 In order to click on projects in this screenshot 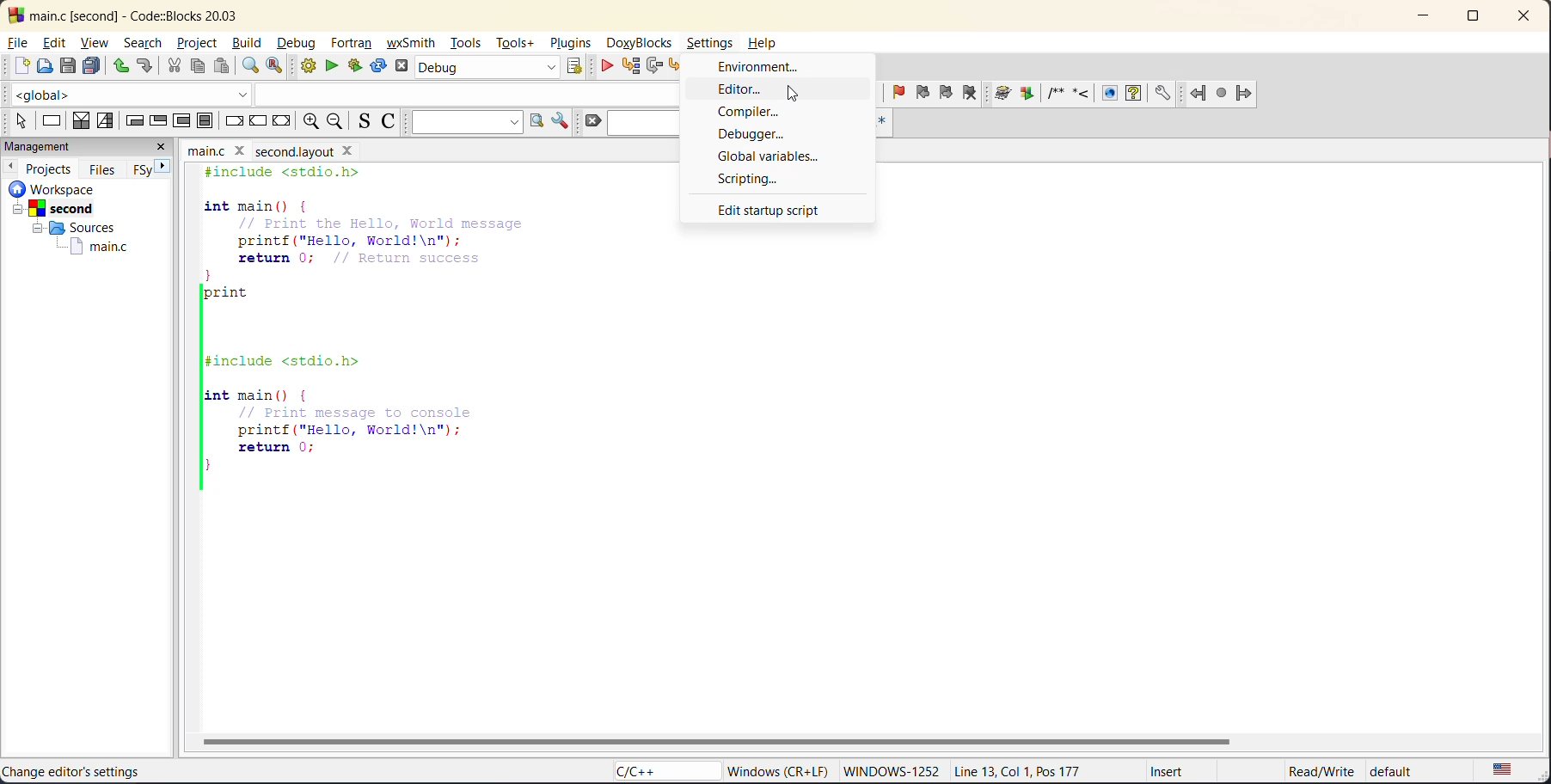, I will do `click(51, 167)`.